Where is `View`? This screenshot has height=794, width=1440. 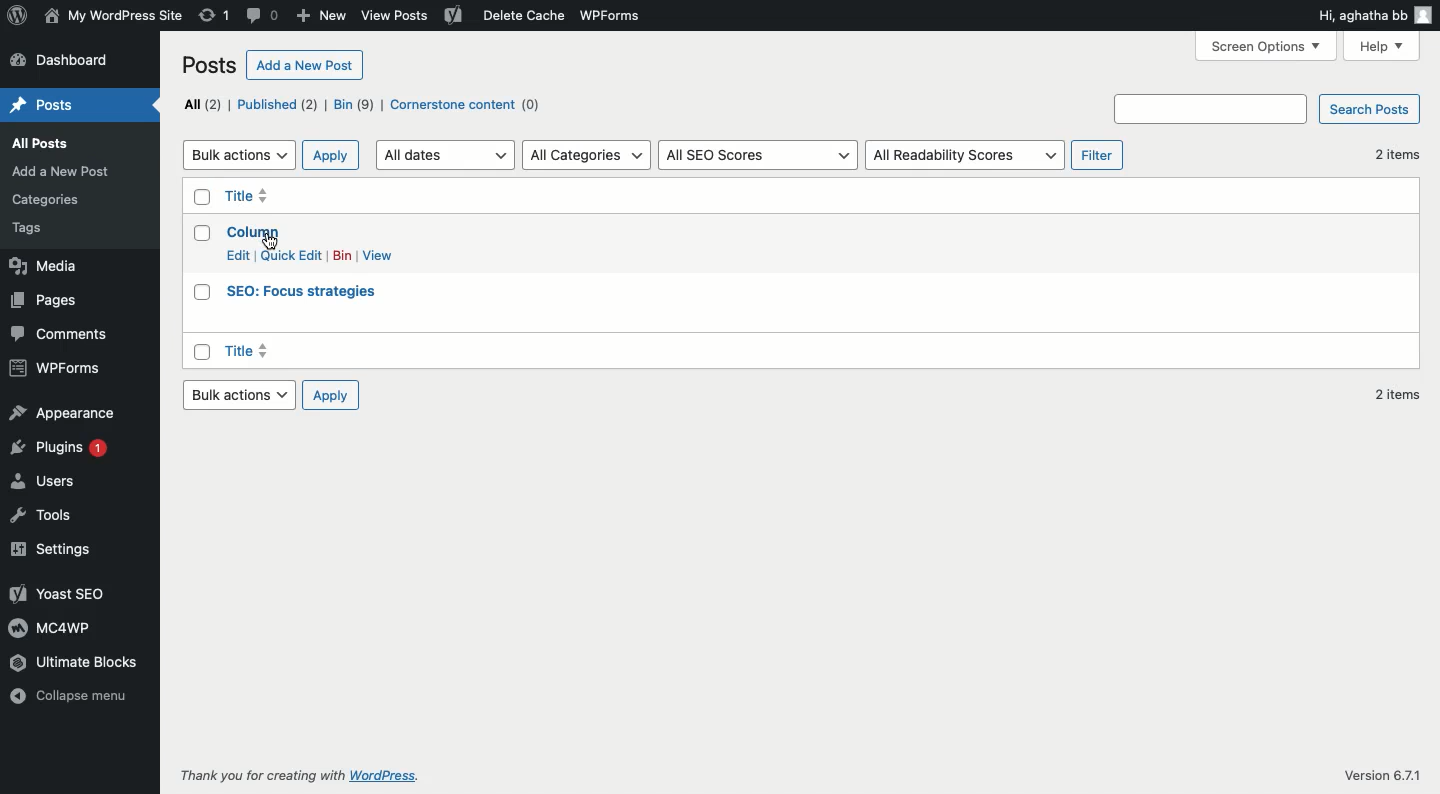 View is located at coordinates (378, 256).